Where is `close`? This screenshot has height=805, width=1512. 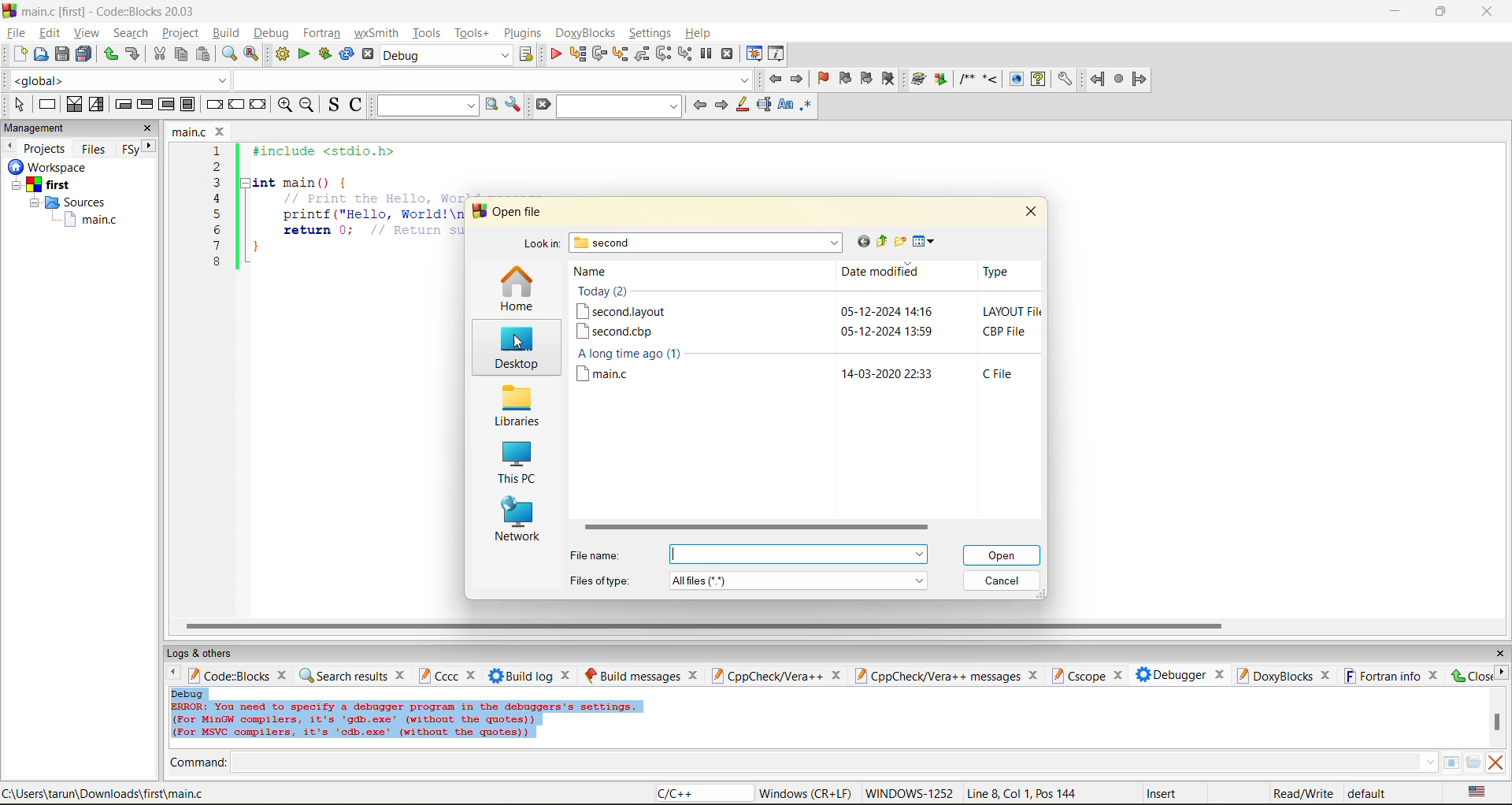 close is located at coordinates (1220, 673).